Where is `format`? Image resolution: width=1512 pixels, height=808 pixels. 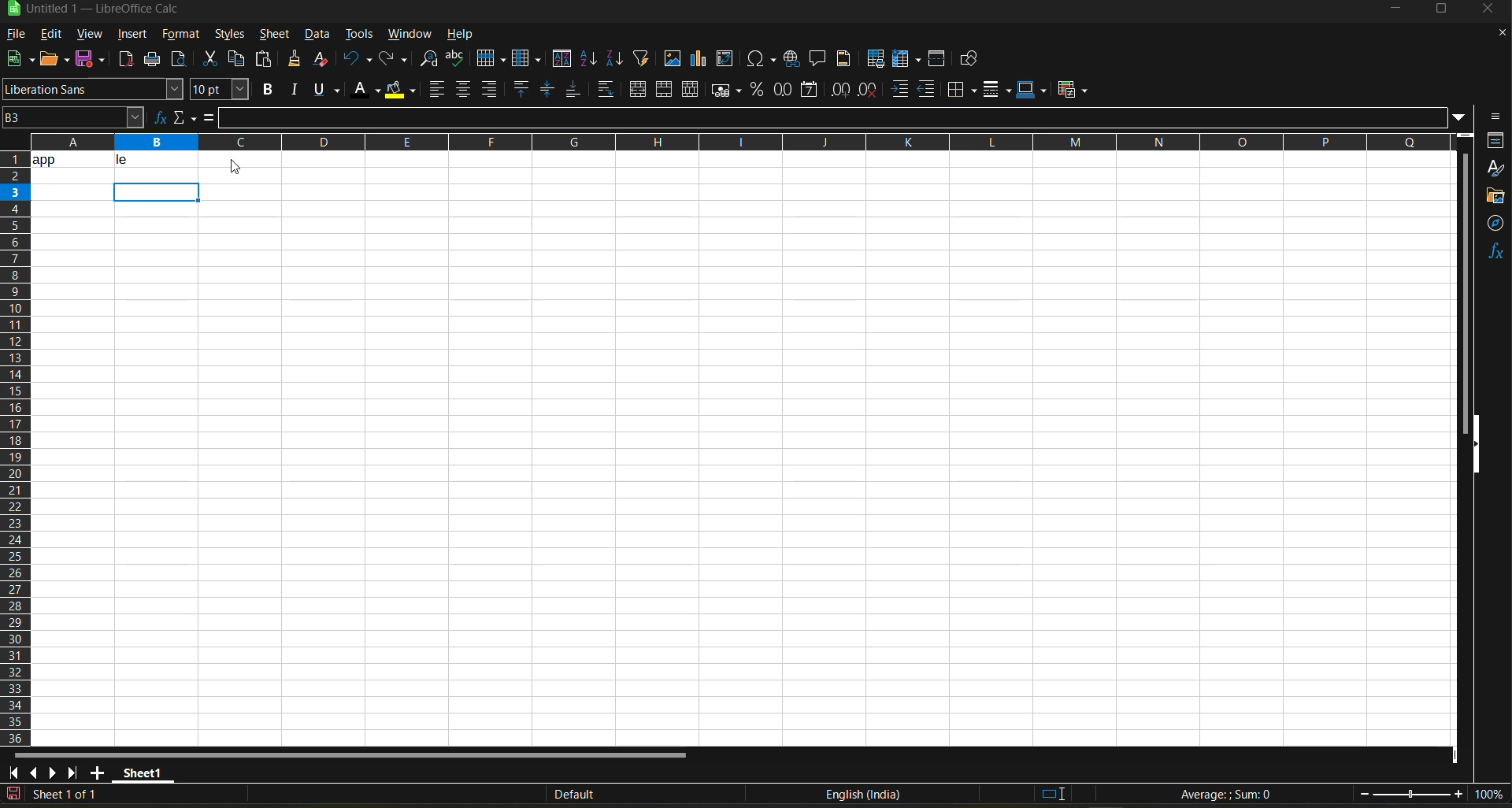 format is located at coordinates (182, 36).